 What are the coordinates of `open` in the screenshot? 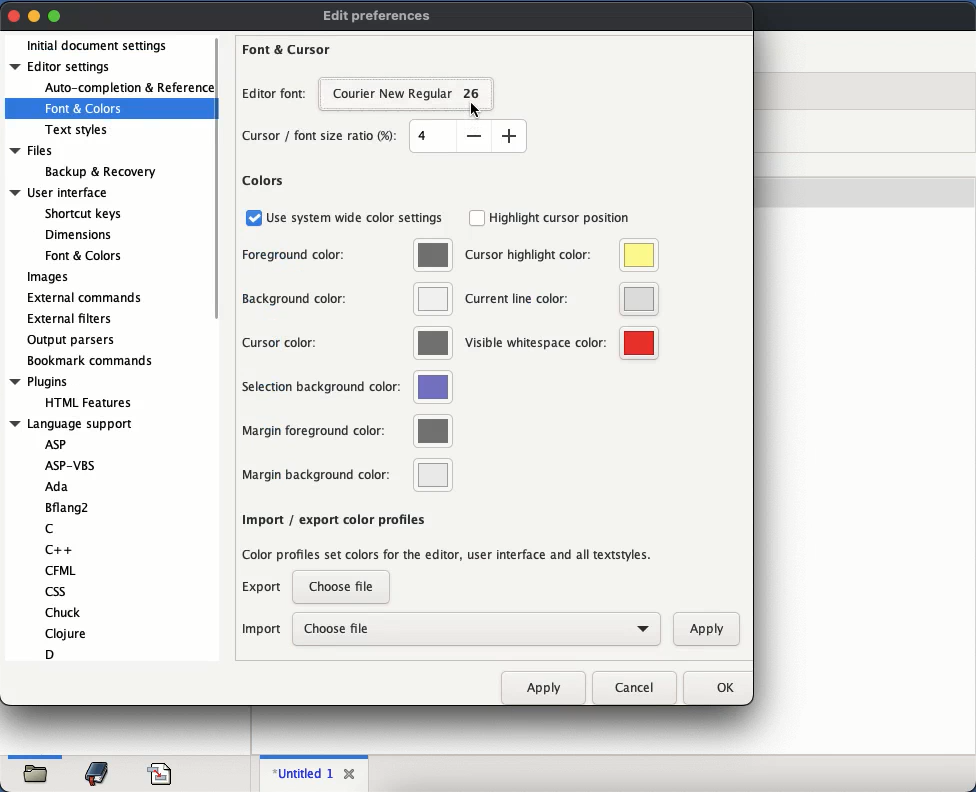 It's located at (40, 770).